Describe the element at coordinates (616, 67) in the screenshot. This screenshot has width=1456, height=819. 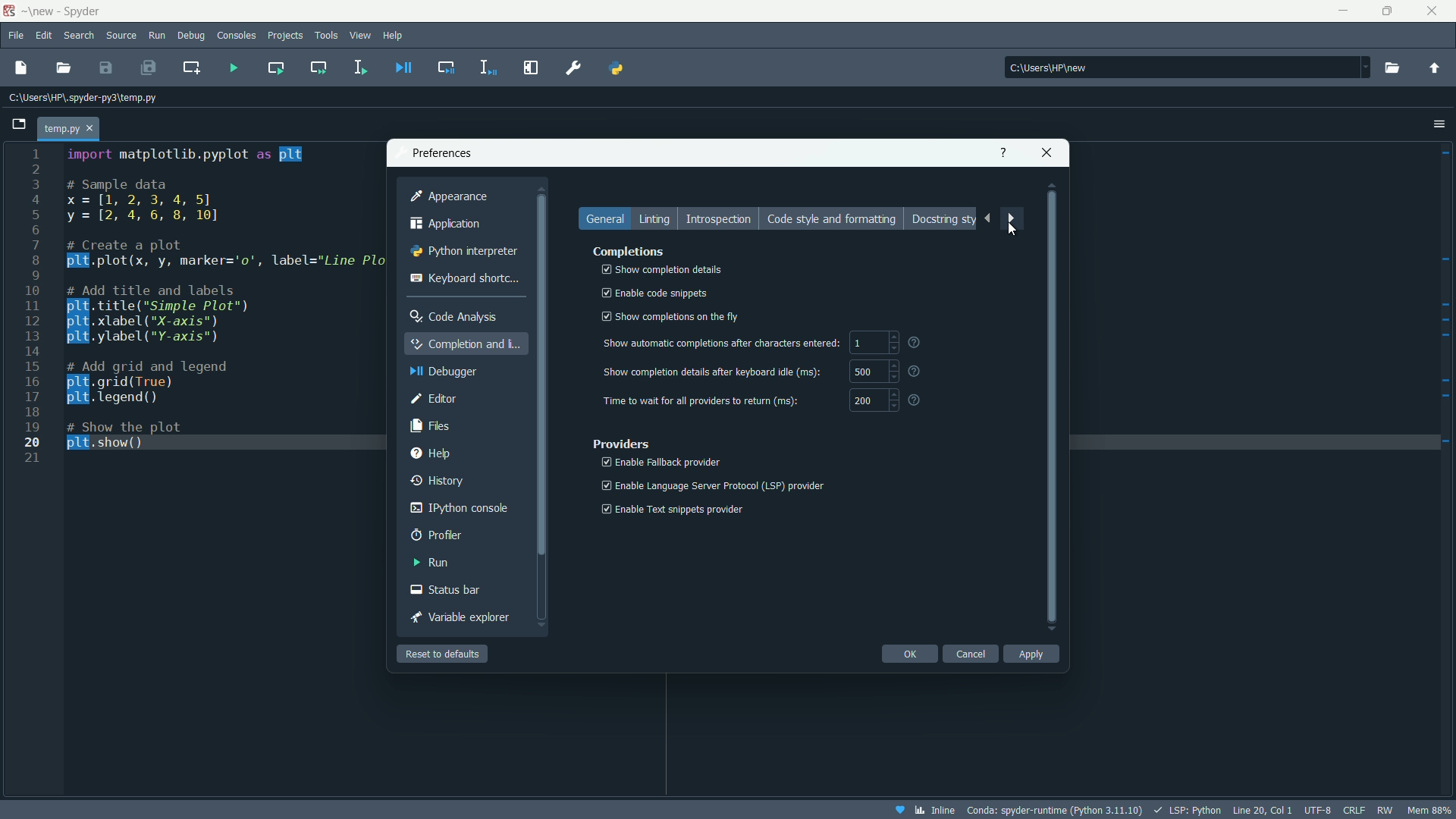
I see `python path manager` at that location.